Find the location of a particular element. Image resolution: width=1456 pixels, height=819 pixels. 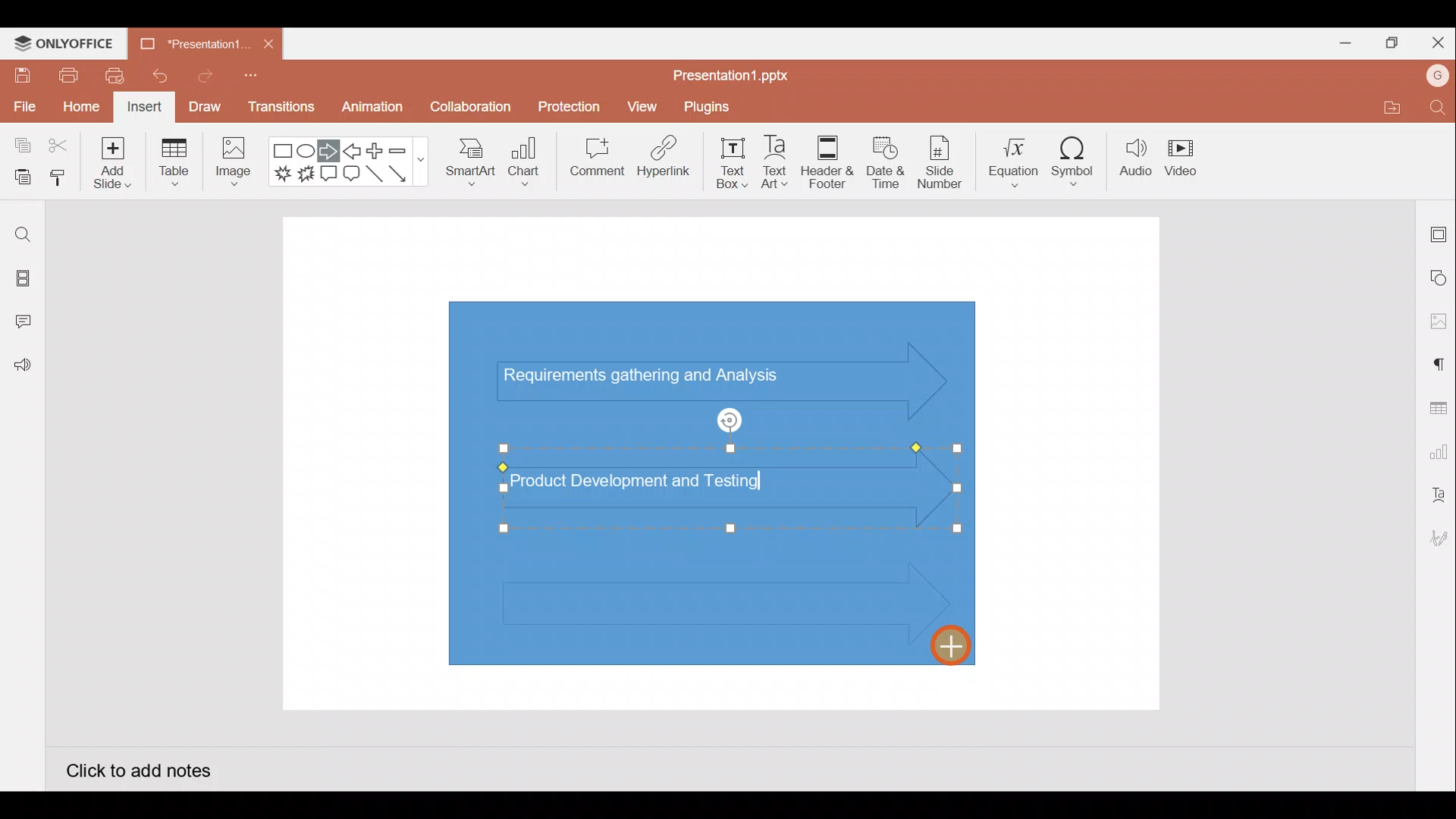

Protection is located at coordinates (565, 107).